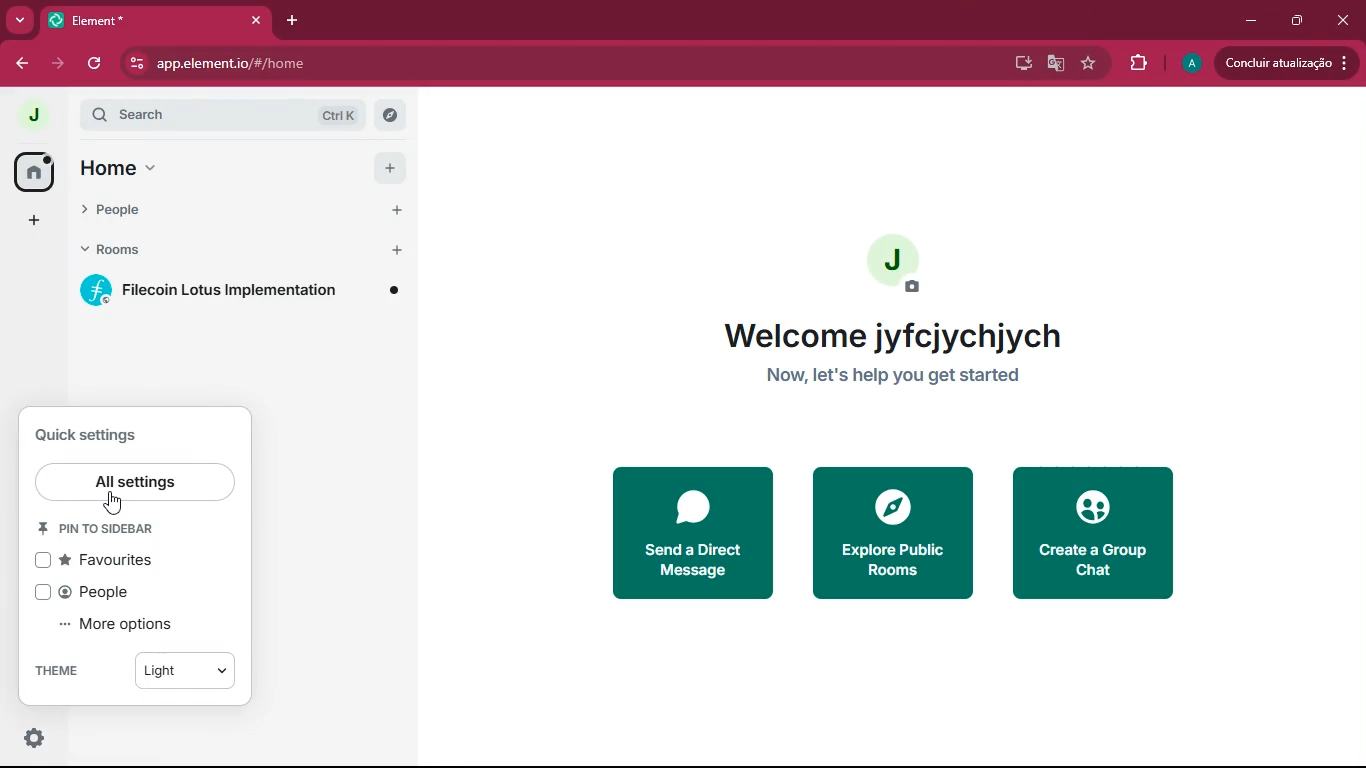  What do you see at coordinates (393, 112) in the screenshot?
I see `Search` at bounding box center [393, 112].